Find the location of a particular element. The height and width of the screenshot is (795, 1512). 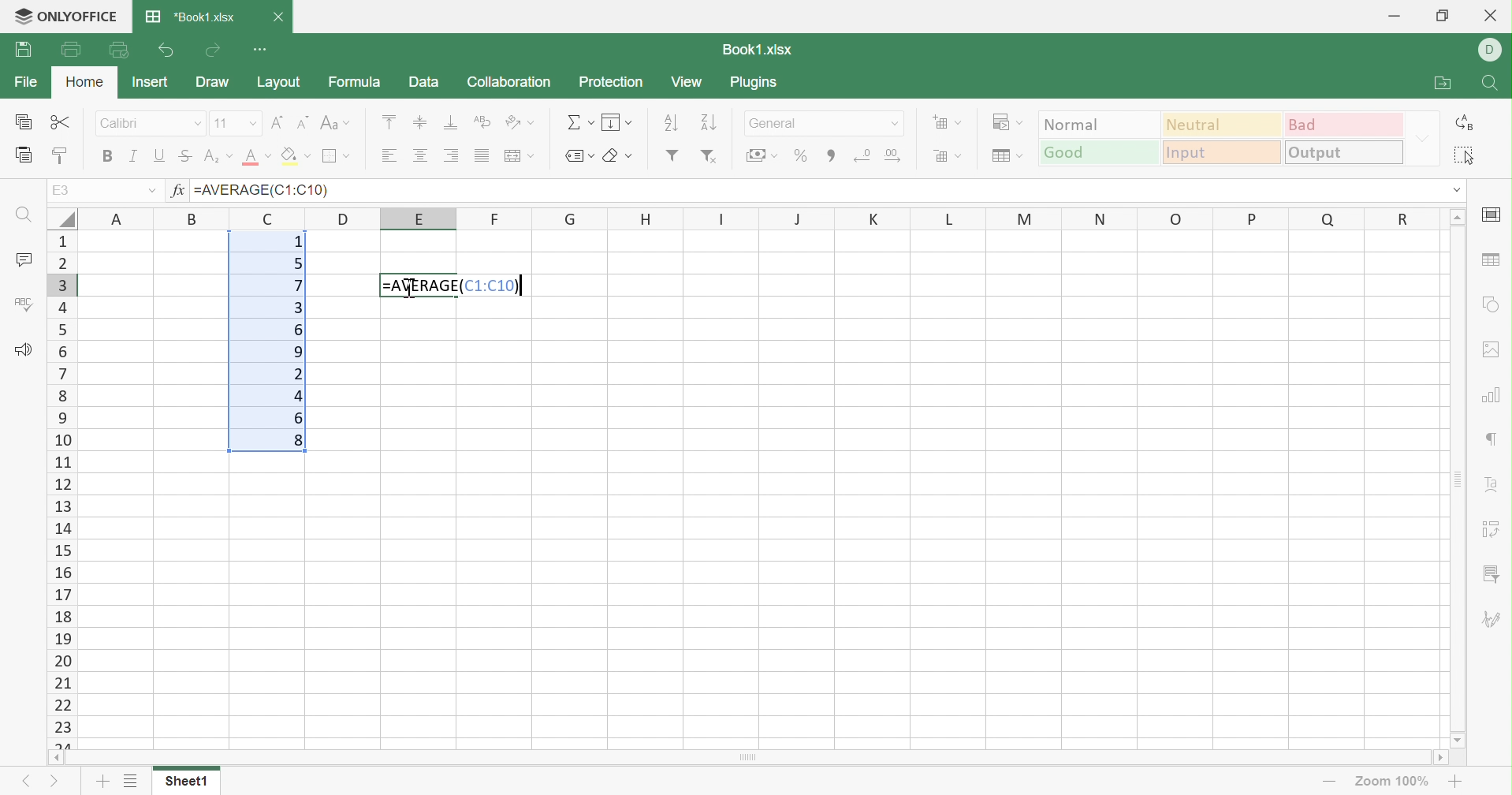

Align Right is located at coordinates (449, 155).